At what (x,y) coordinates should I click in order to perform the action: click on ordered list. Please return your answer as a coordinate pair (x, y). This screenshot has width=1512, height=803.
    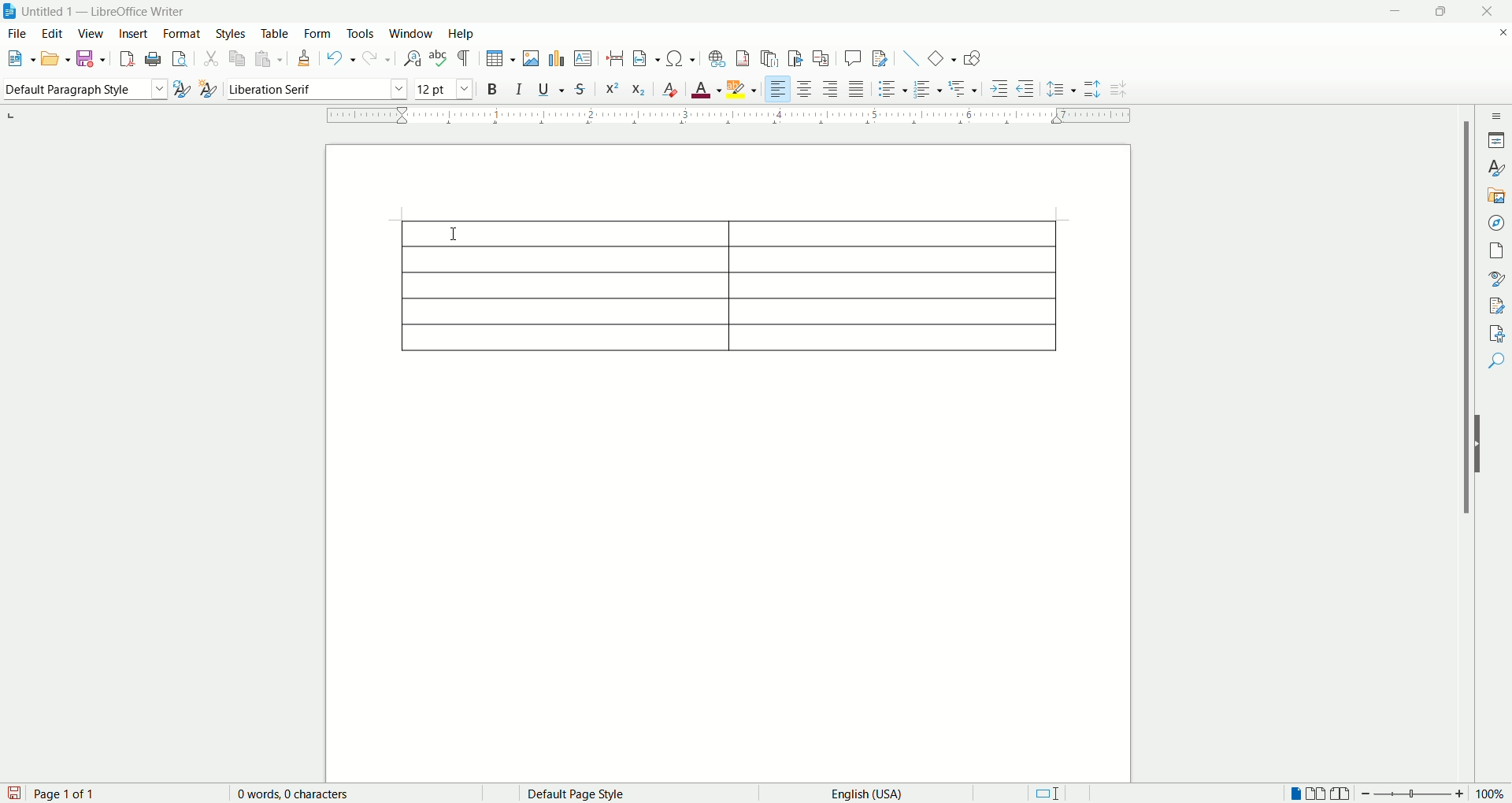
    Looking at the image, I should click on (926, 88).